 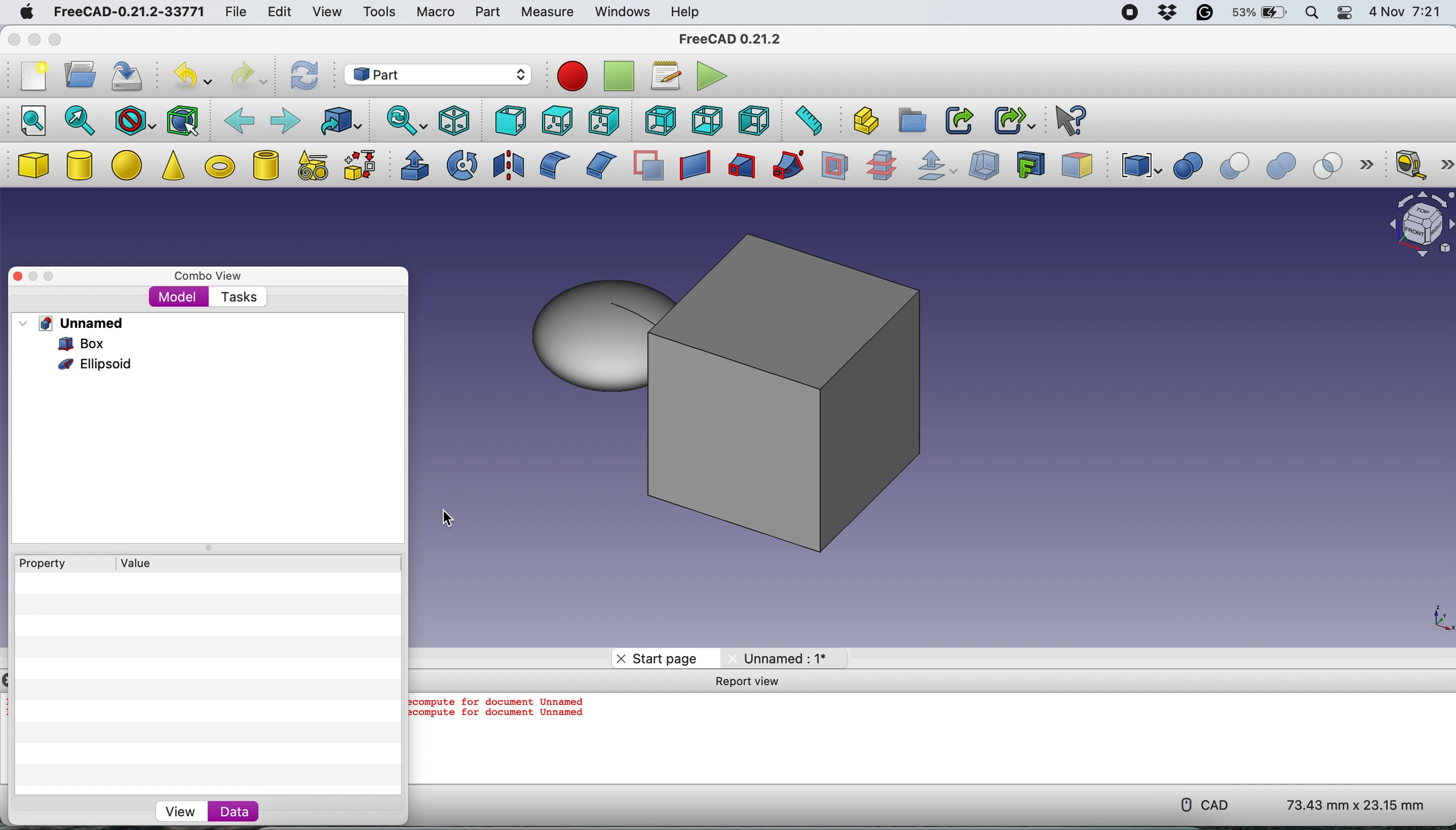 I want to click on shape builder, so click(x=360, y=165).